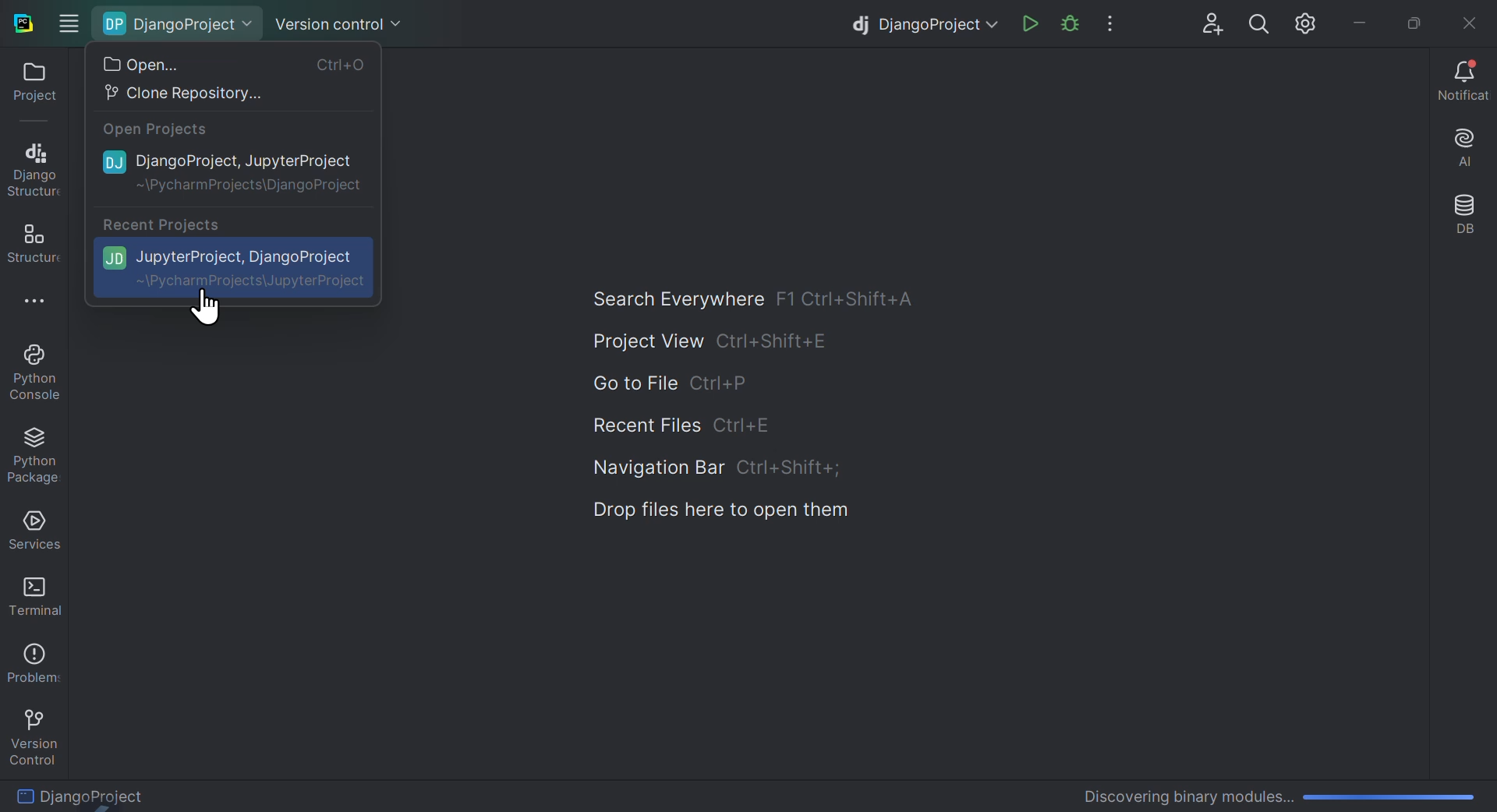 This screenshot has height=812, width=1497. What do you see at coordinates (30, 595) in the screenshot?
I see `Terminal` at bounding box center [30, 595].